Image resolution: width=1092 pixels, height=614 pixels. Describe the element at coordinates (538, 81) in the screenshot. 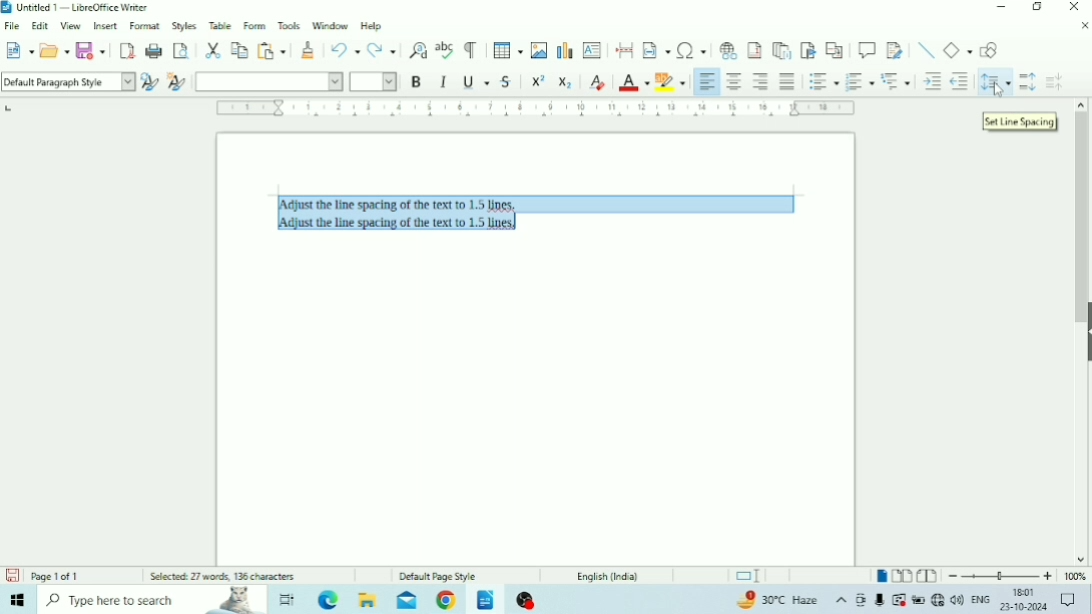

I see `Superscript` at that location.